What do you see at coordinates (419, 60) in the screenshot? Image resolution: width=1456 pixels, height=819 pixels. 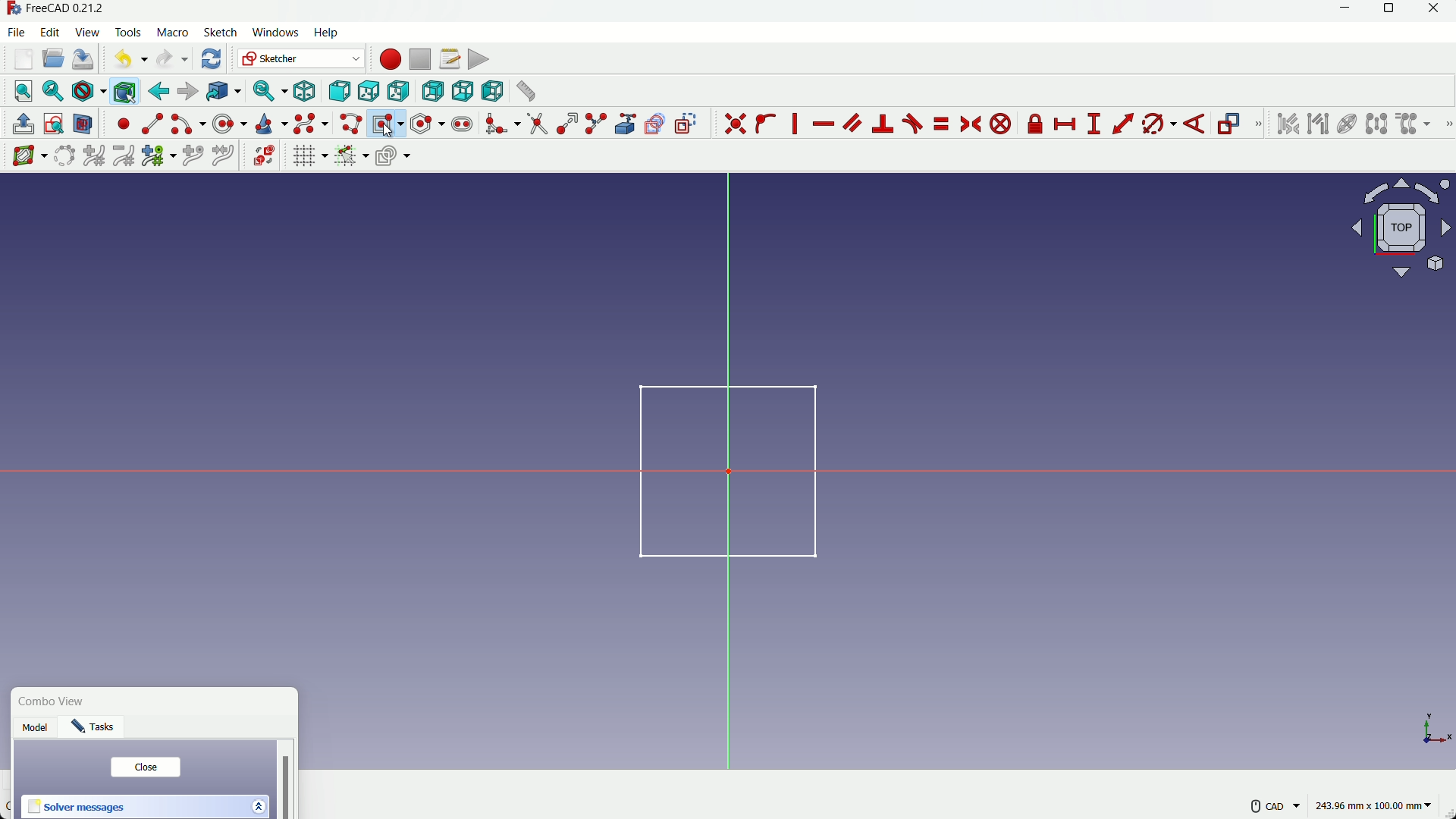 I see `stop macros` at bounding box center [419, 60].